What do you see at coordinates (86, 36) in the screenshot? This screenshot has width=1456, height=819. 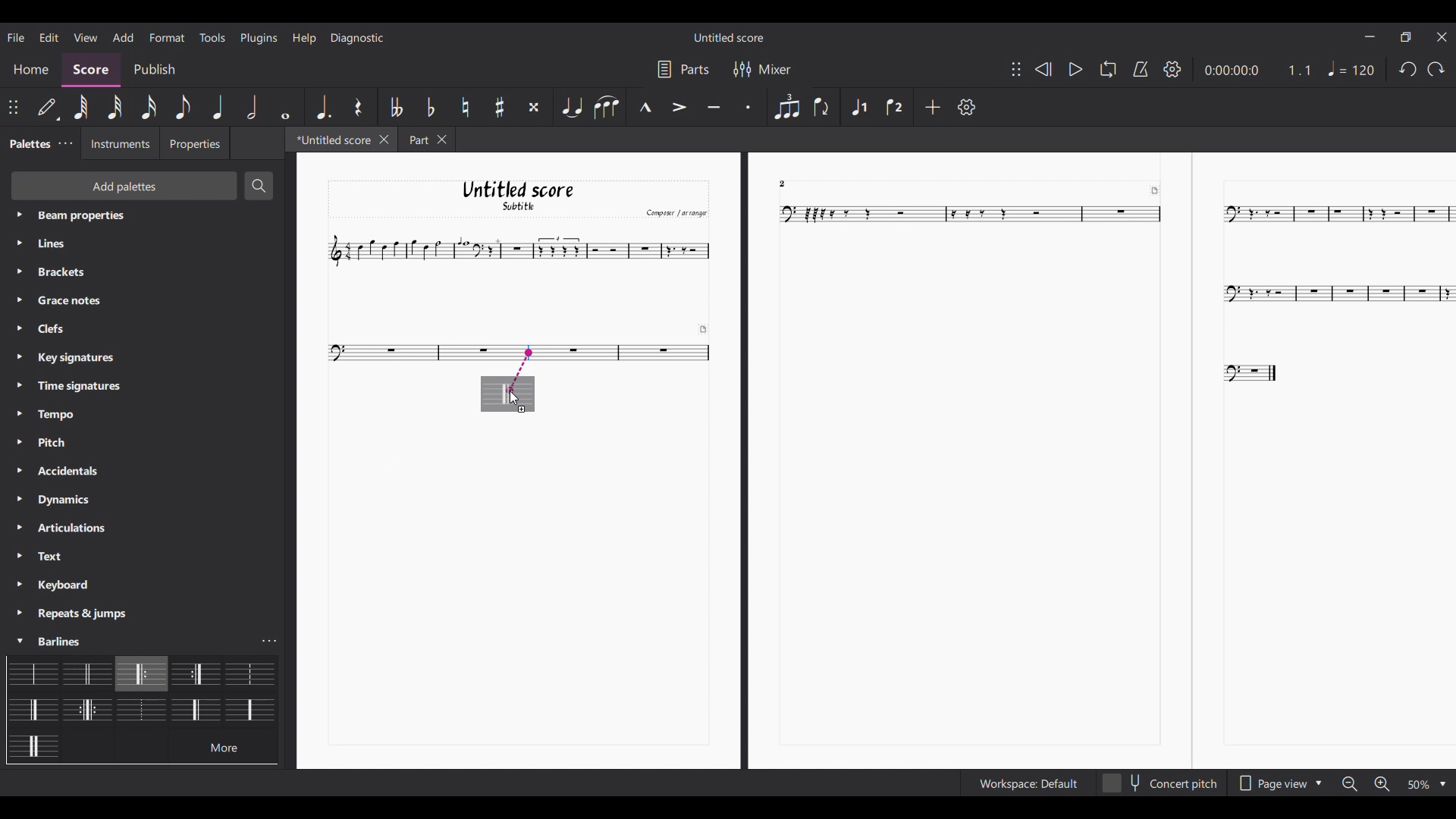 I see `View menu` at bounding box center [86, 36].